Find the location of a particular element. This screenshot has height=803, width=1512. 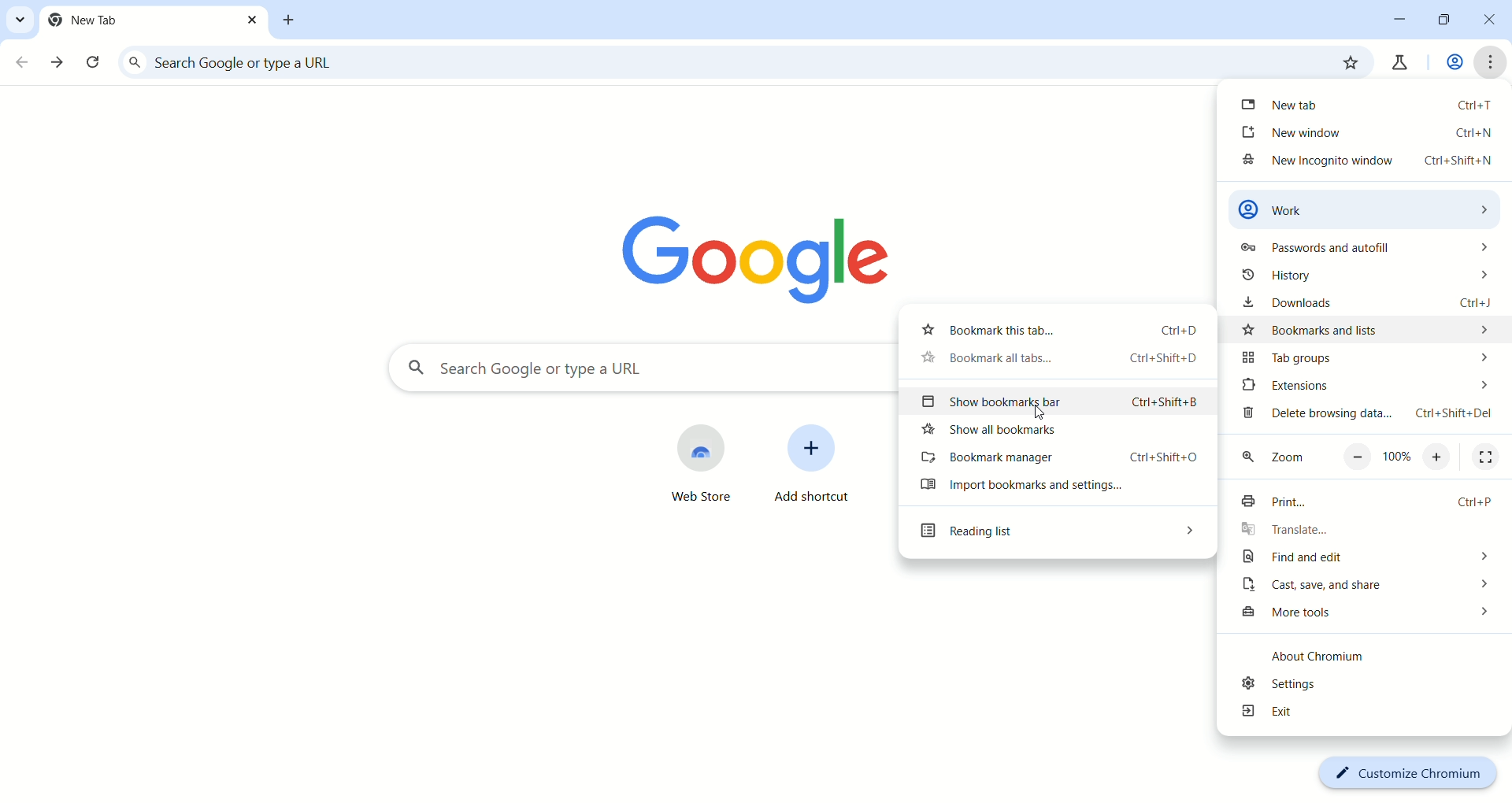

new tab is located at coordinates (291, 20).